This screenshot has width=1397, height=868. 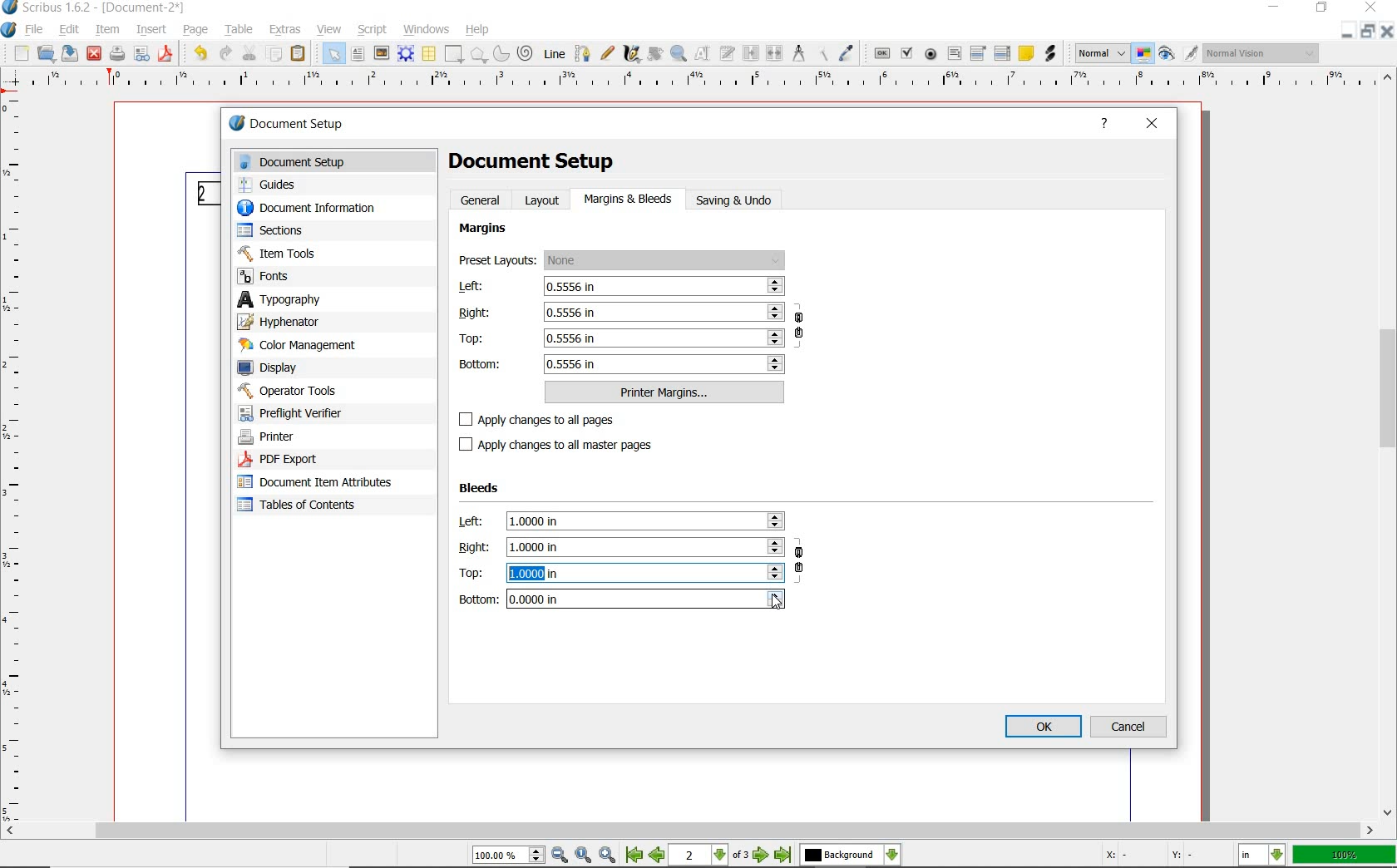 I want to click on fonts, so click(x=274, y=277).